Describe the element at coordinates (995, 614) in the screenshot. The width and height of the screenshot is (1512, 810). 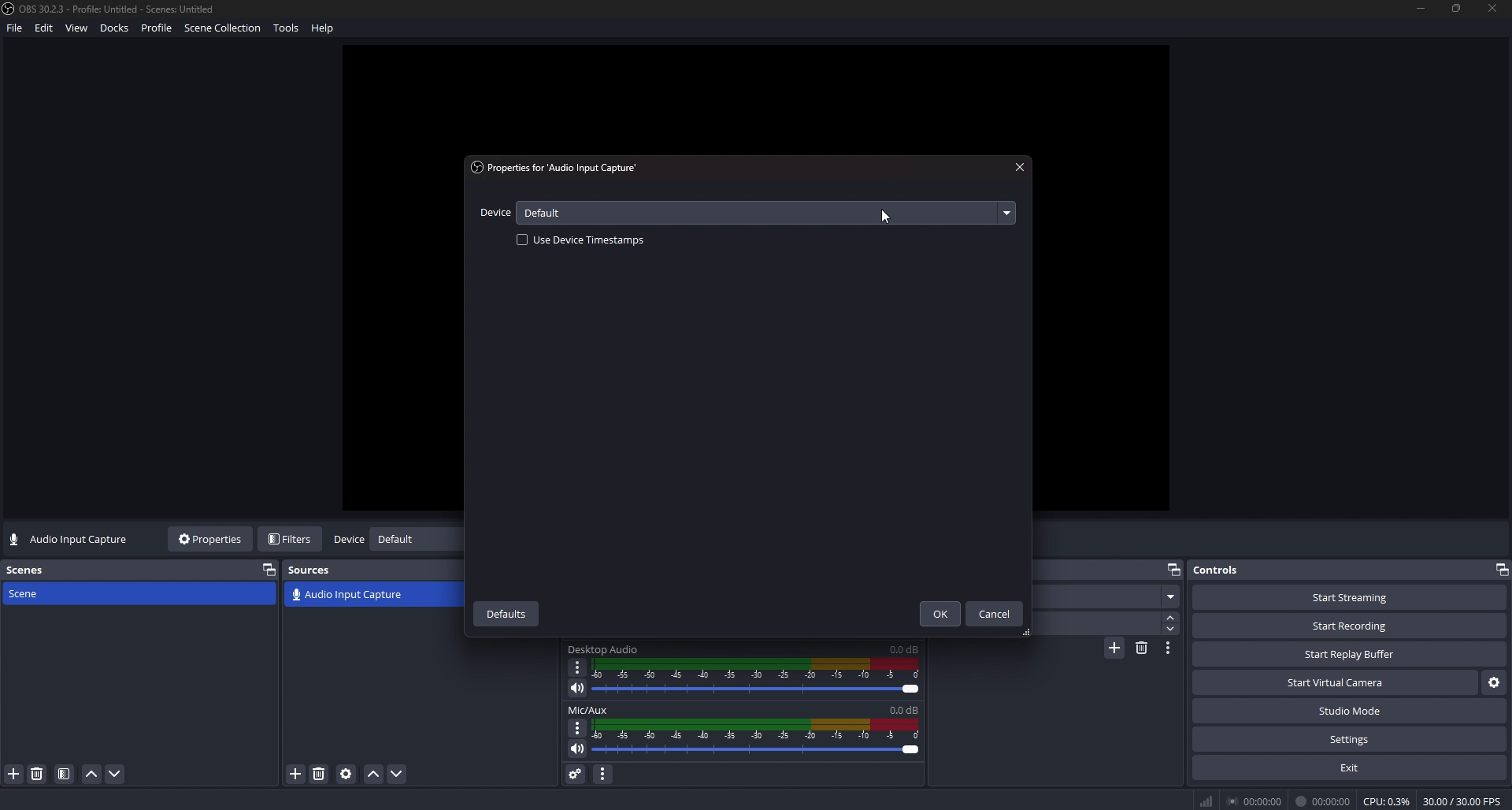
I see `cancel` at that location.